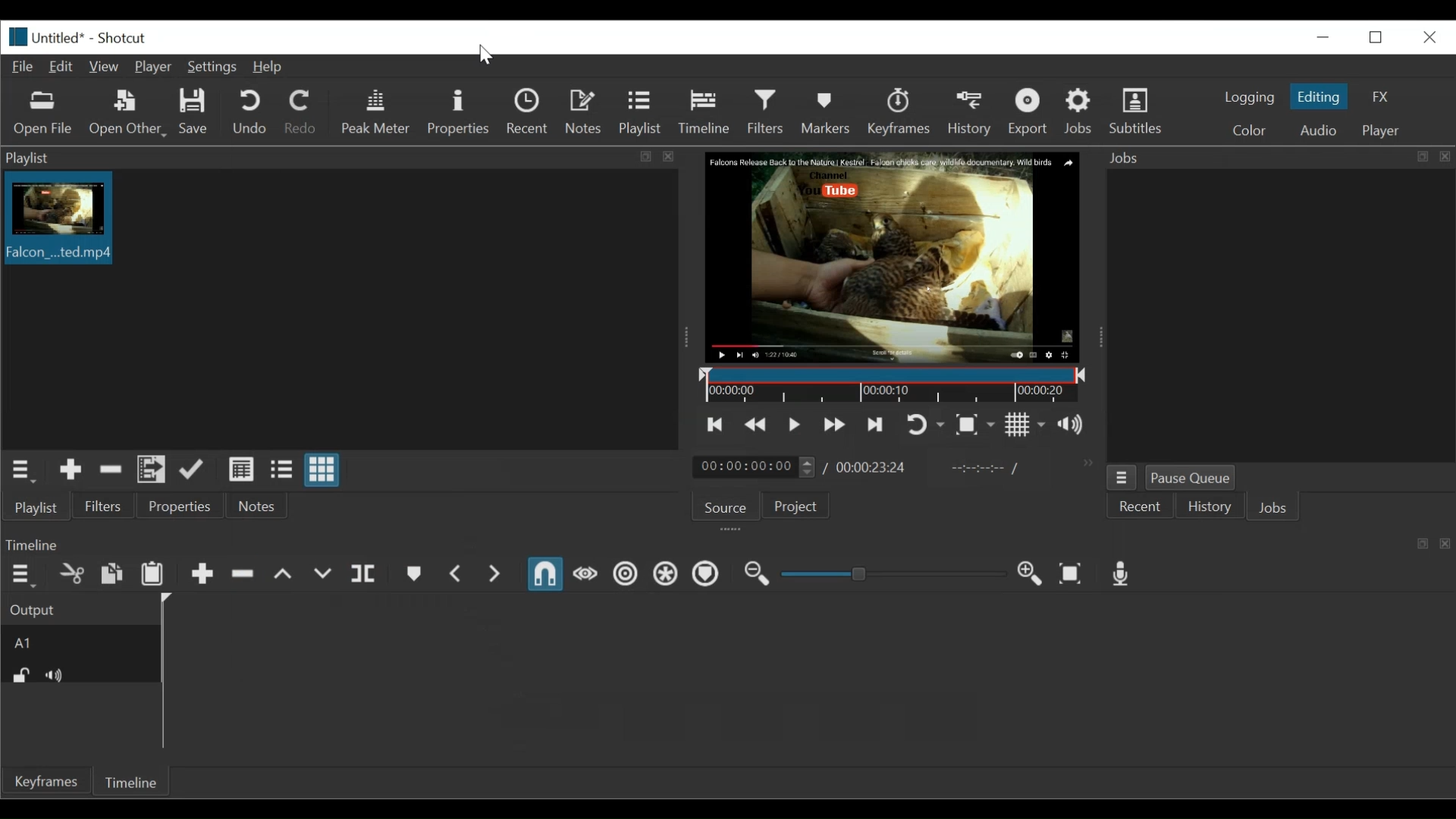 This screenshot has width=1456, height=819. Describe the element at coordinates (1210, 510) in the screenshot. I see `History` at that location.